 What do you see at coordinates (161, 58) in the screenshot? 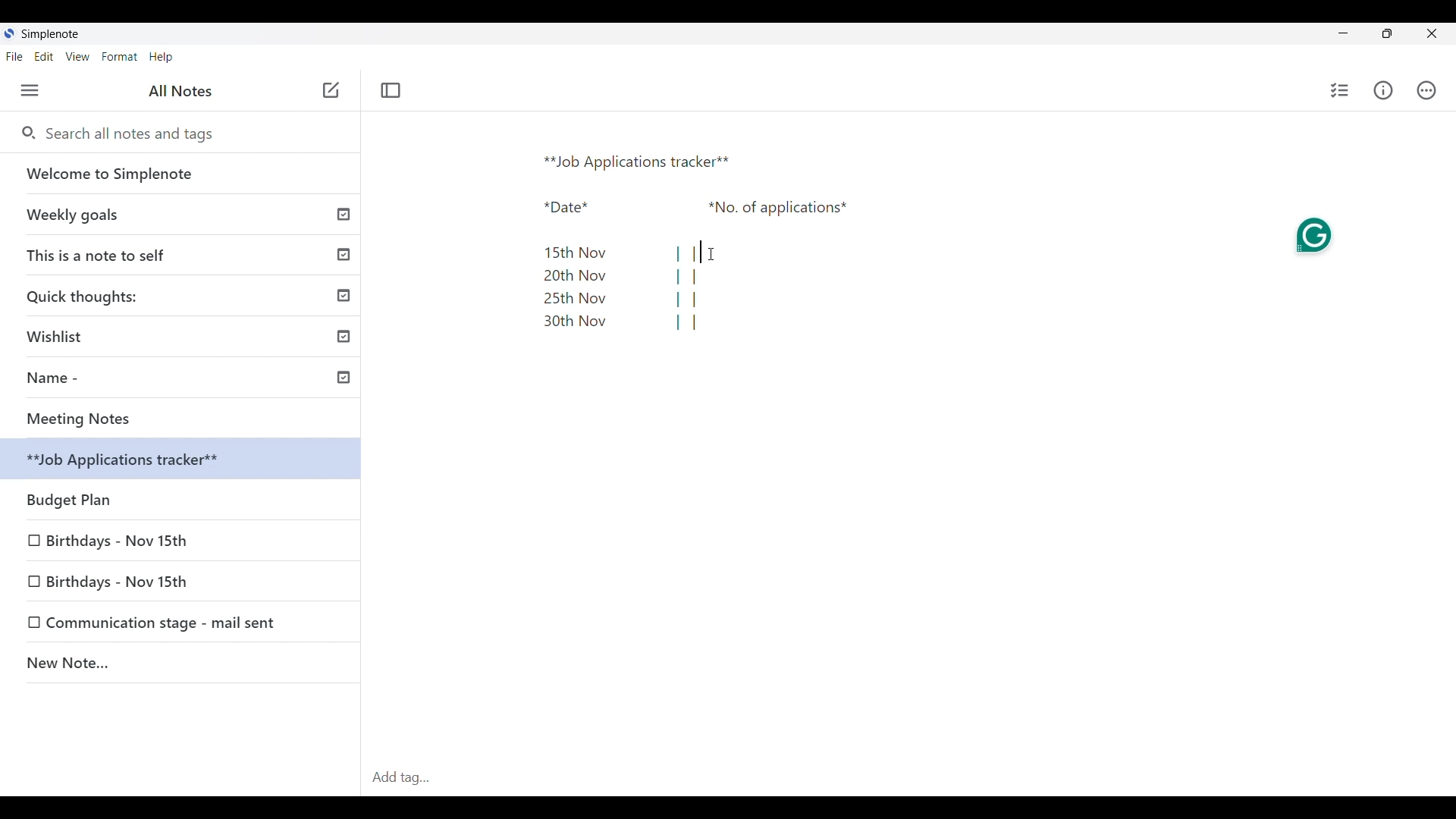
I see `Help ` at bounding box center [161, 58].